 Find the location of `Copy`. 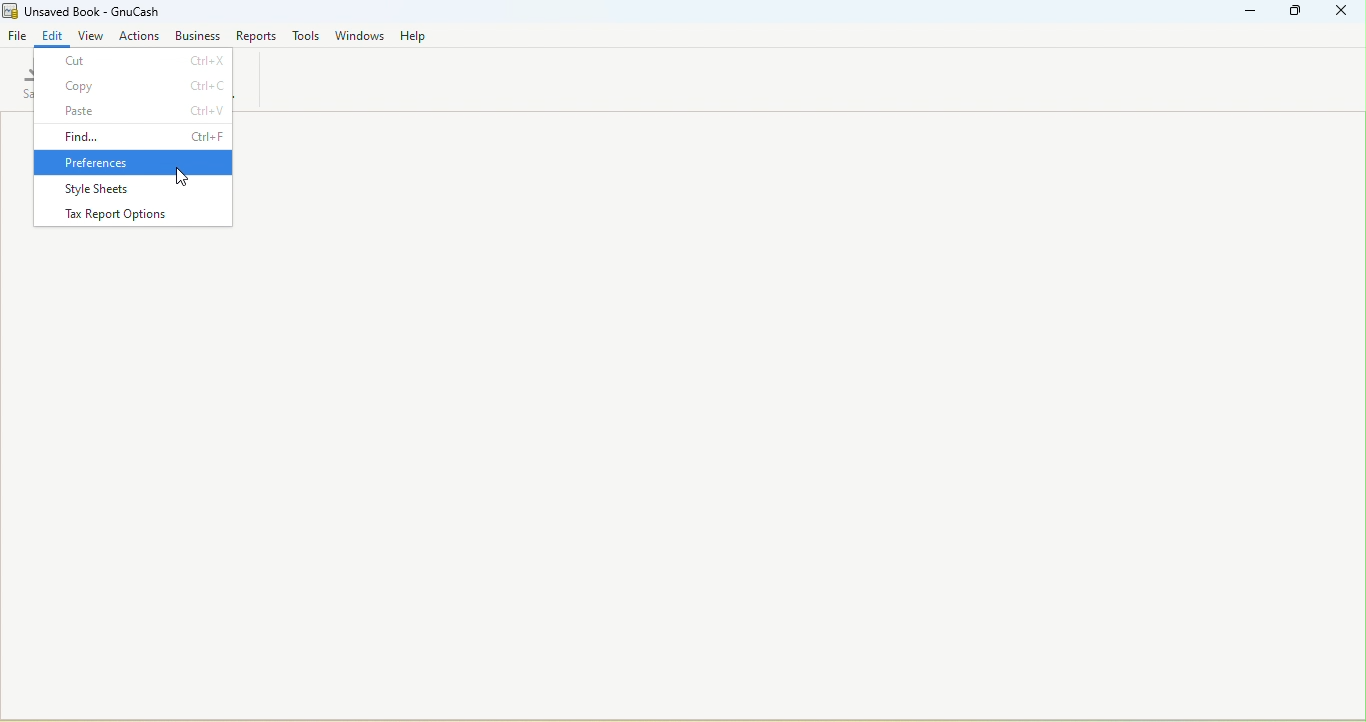

Copy is located at coordinates (133, 86).